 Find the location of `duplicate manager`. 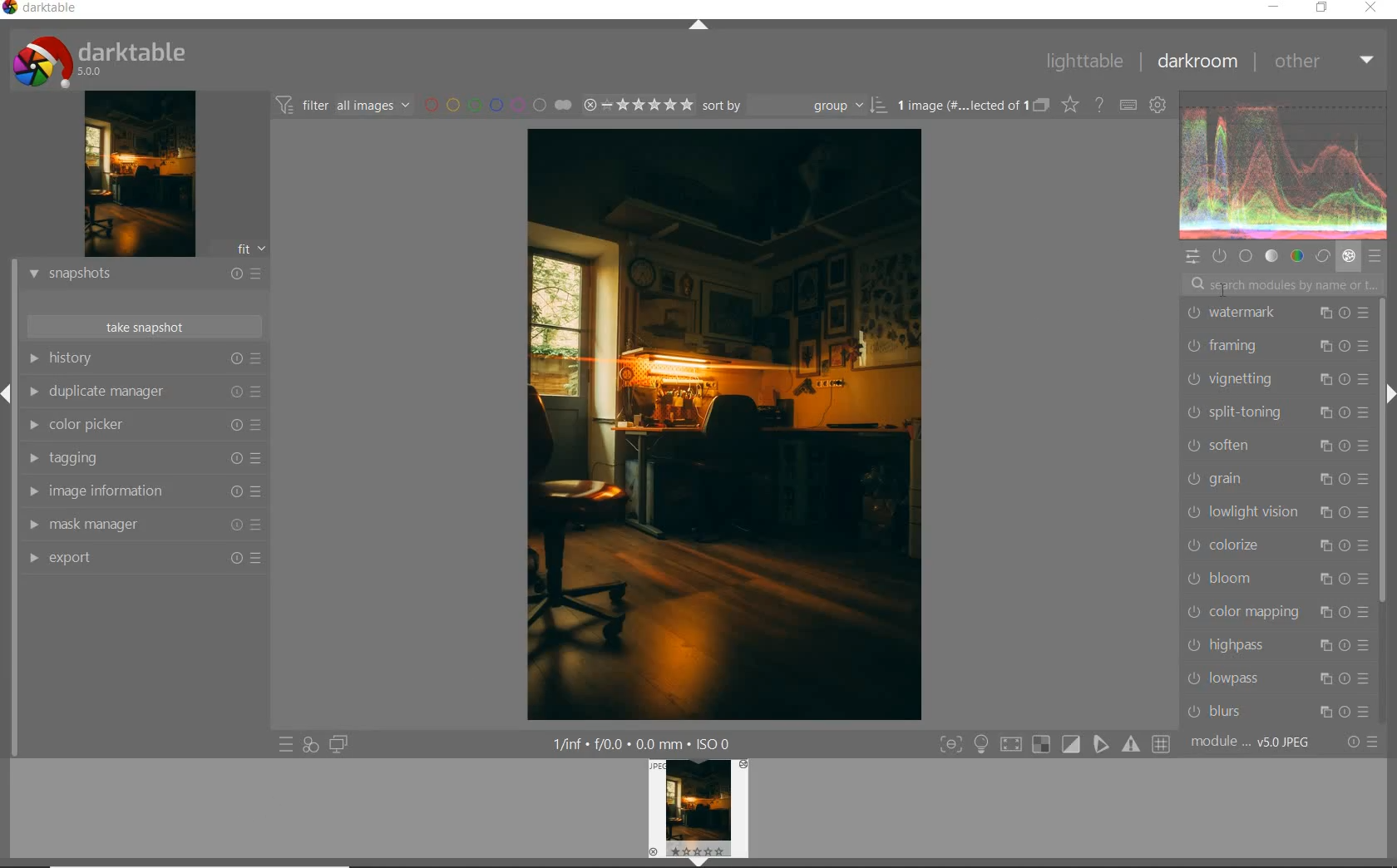

duplicate manager is located at coordinates (141, 392).